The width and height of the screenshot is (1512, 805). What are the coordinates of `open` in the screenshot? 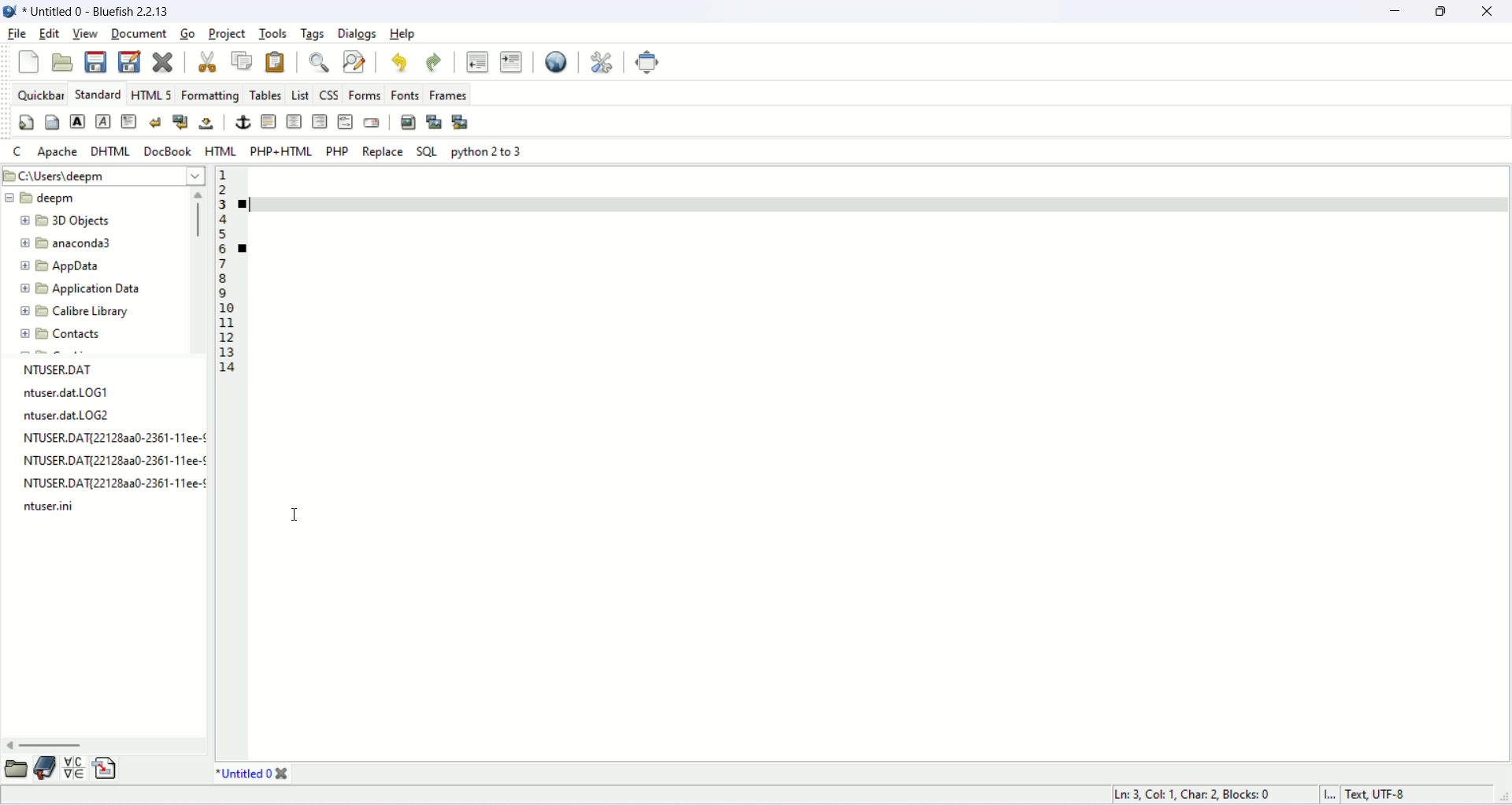 It's located at (65, 64).